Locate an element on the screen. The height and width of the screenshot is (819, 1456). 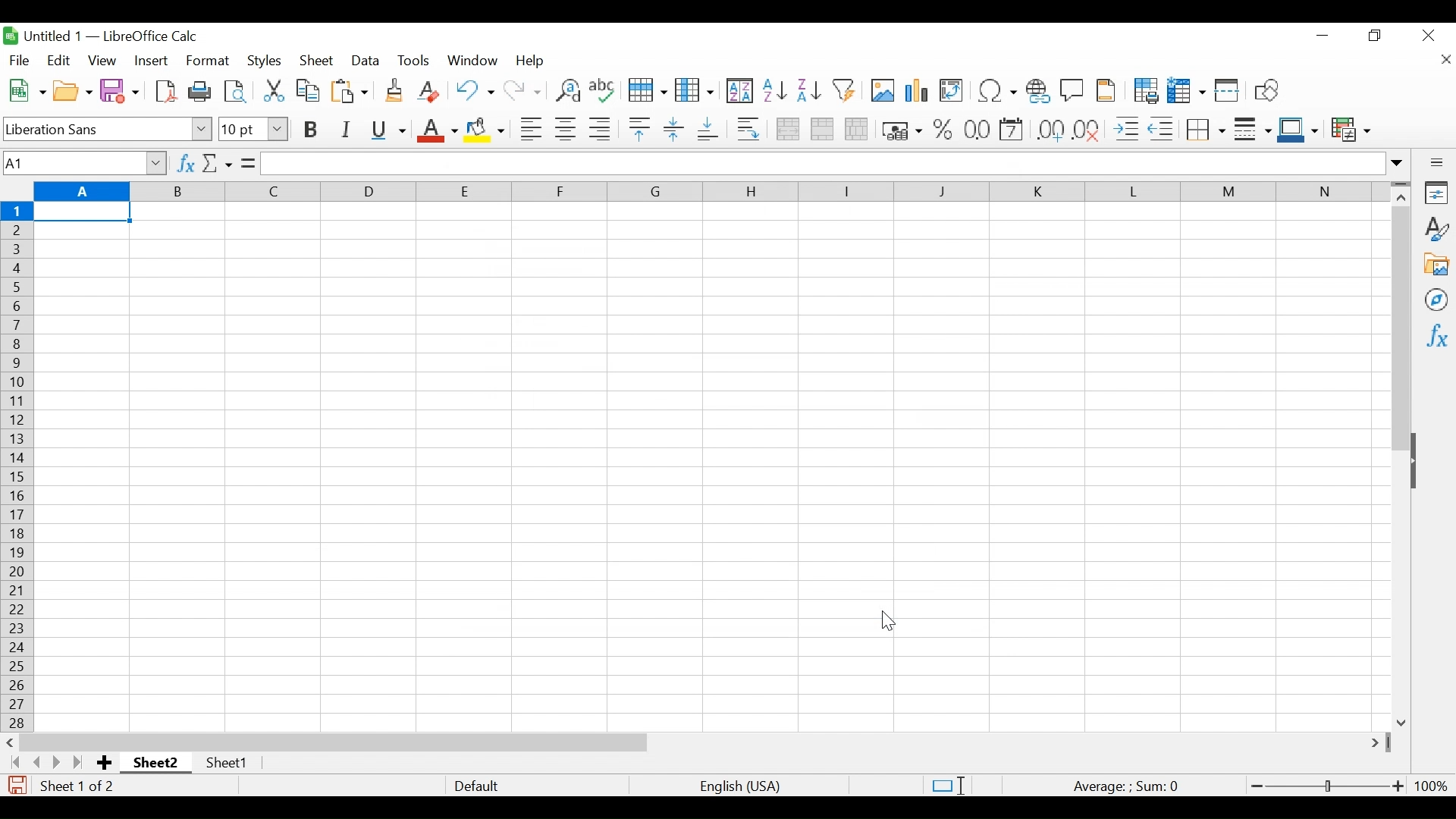
Wrap Text is located at coordinates (748, 129).